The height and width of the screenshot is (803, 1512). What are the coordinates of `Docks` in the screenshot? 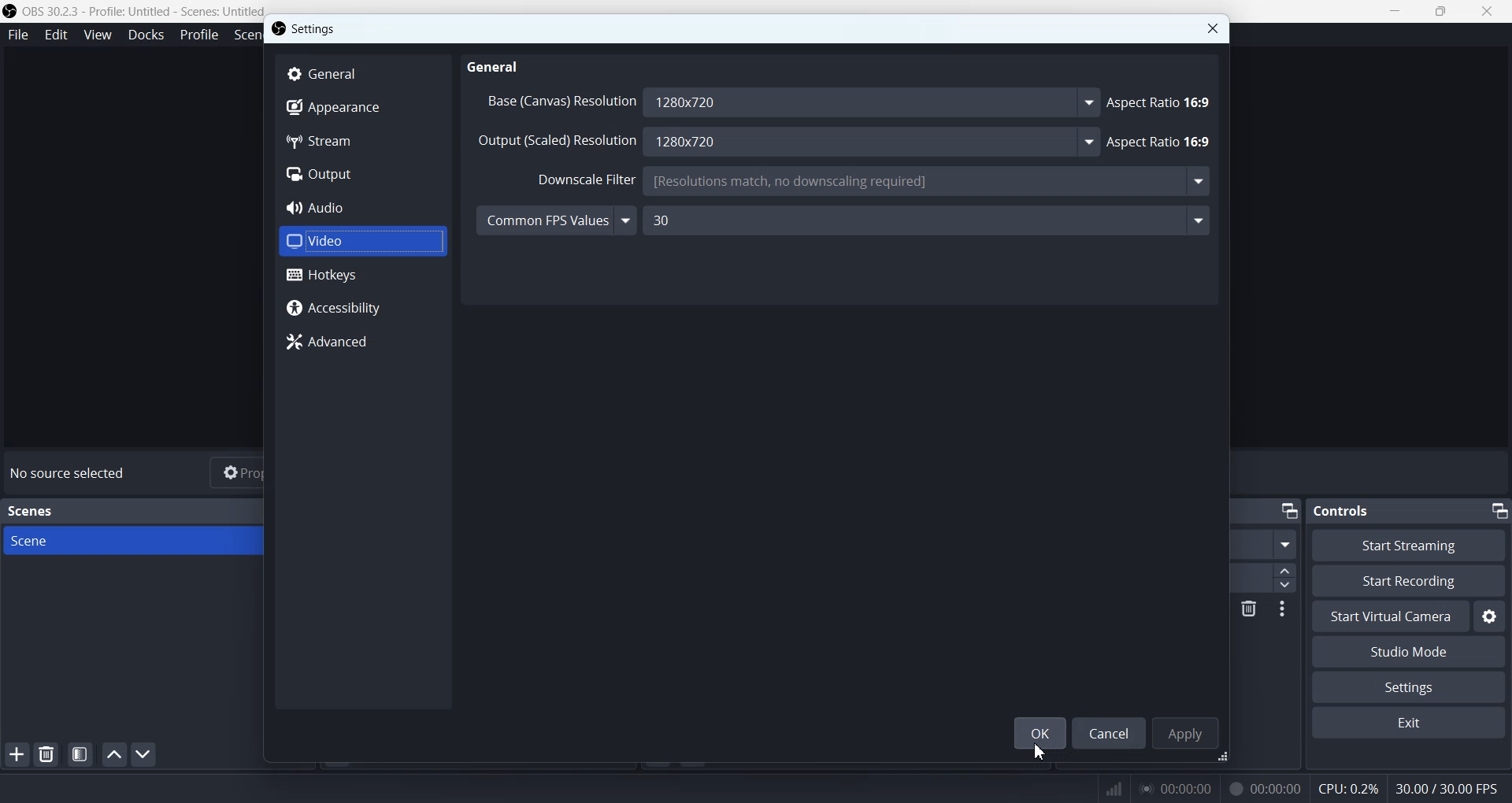 It's located at (145, 35).